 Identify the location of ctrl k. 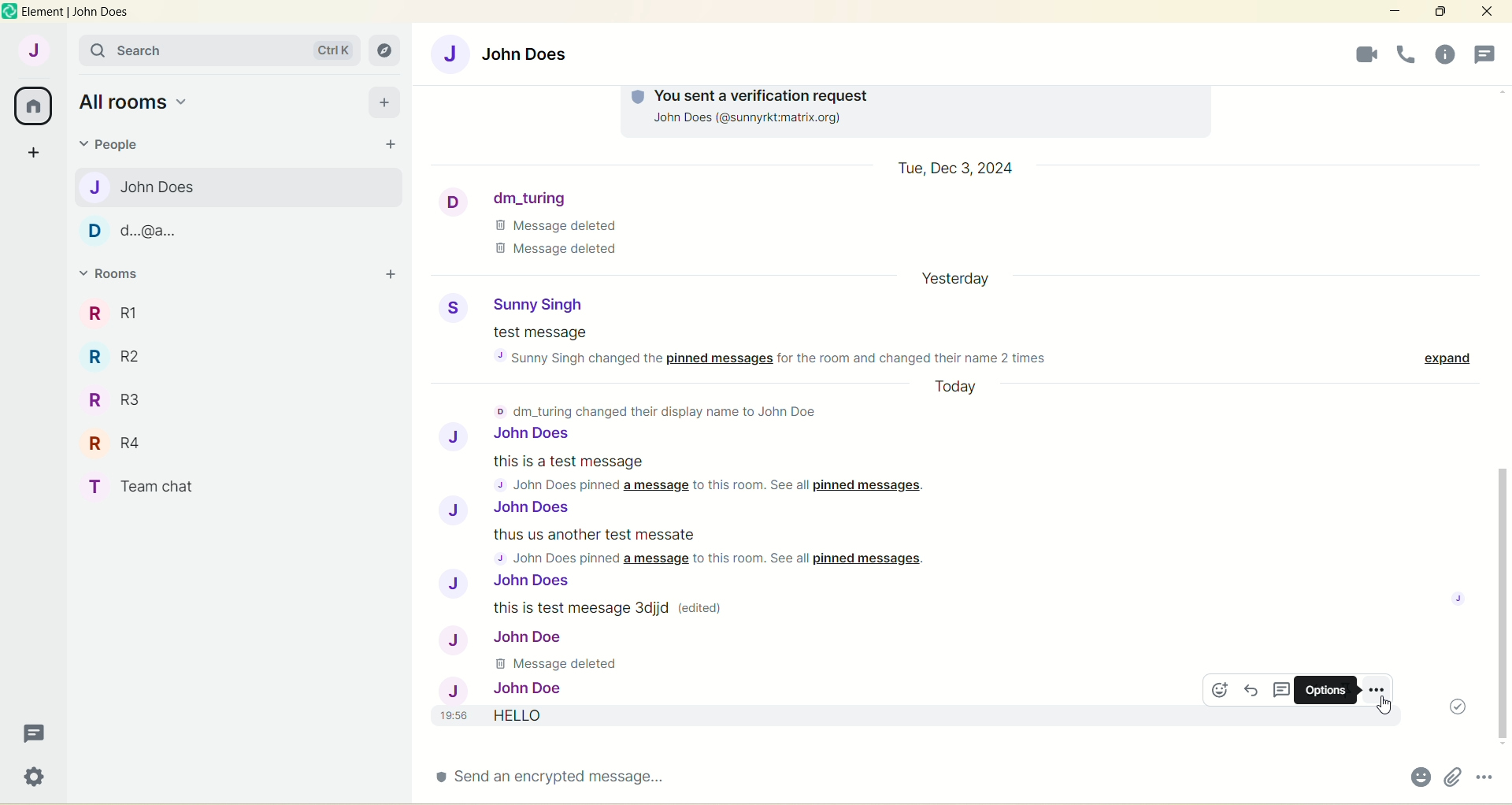
(330, 46).